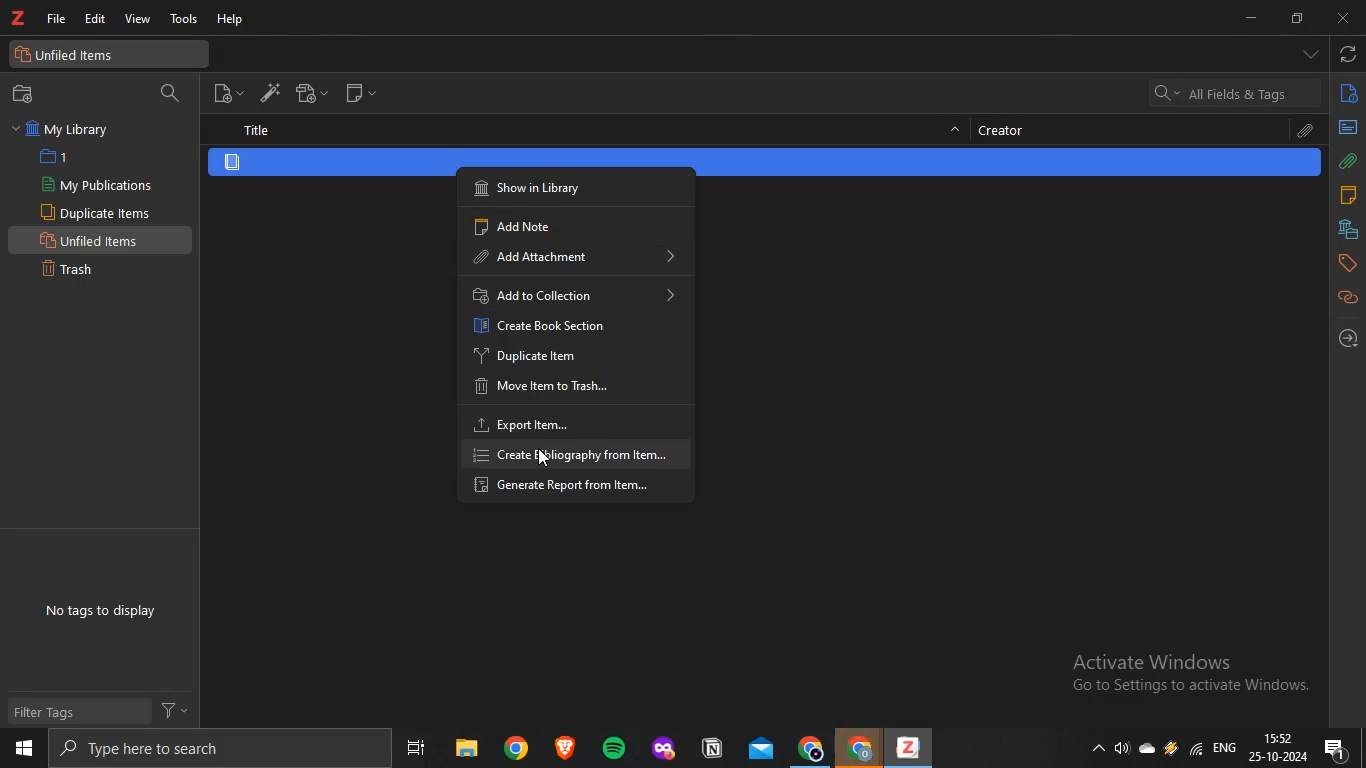  What do you see at coordinates (96, 185) in the screenshot?
I see `My Publications` at bounding box center [96, 185].